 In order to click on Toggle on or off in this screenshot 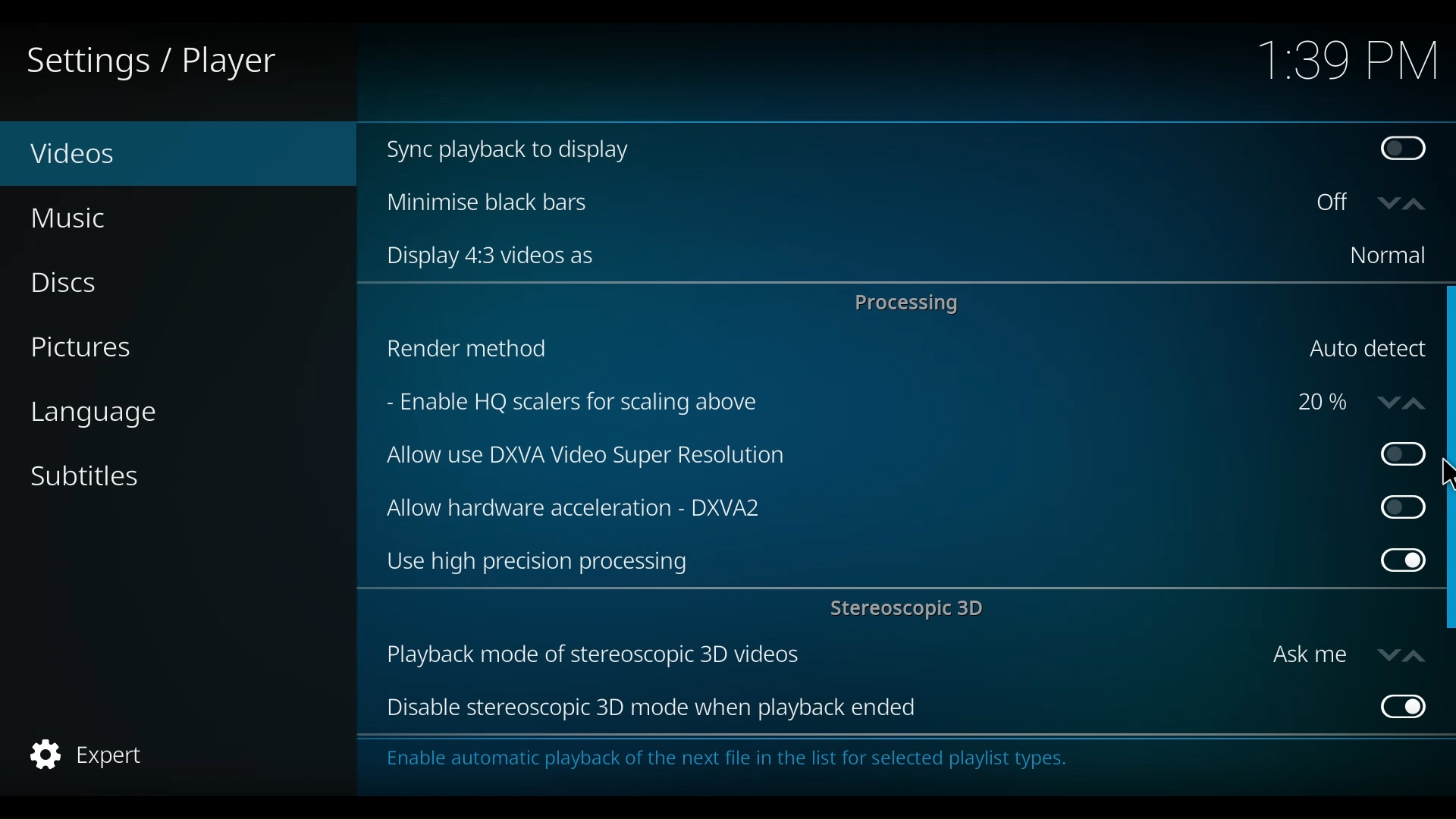, I will do `click(1337, 204)`.